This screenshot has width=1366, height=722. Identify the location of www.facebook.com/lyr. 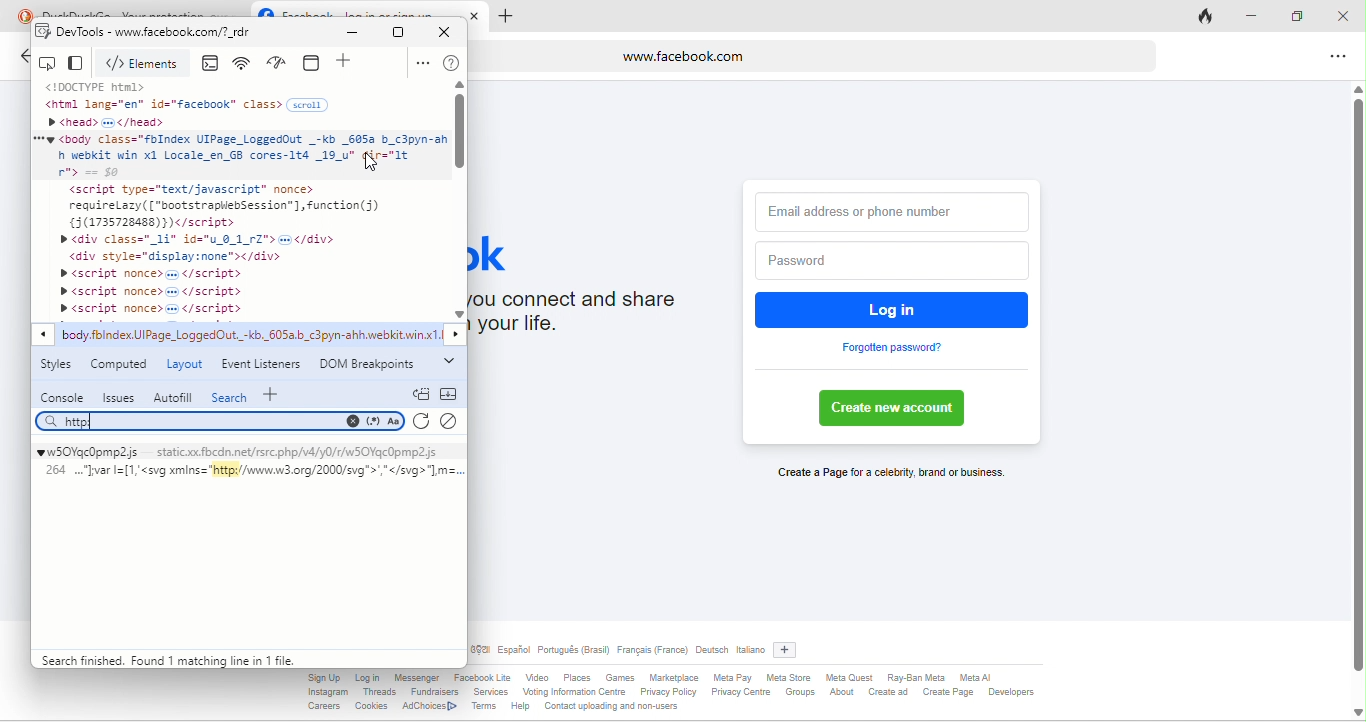
(221, 36).